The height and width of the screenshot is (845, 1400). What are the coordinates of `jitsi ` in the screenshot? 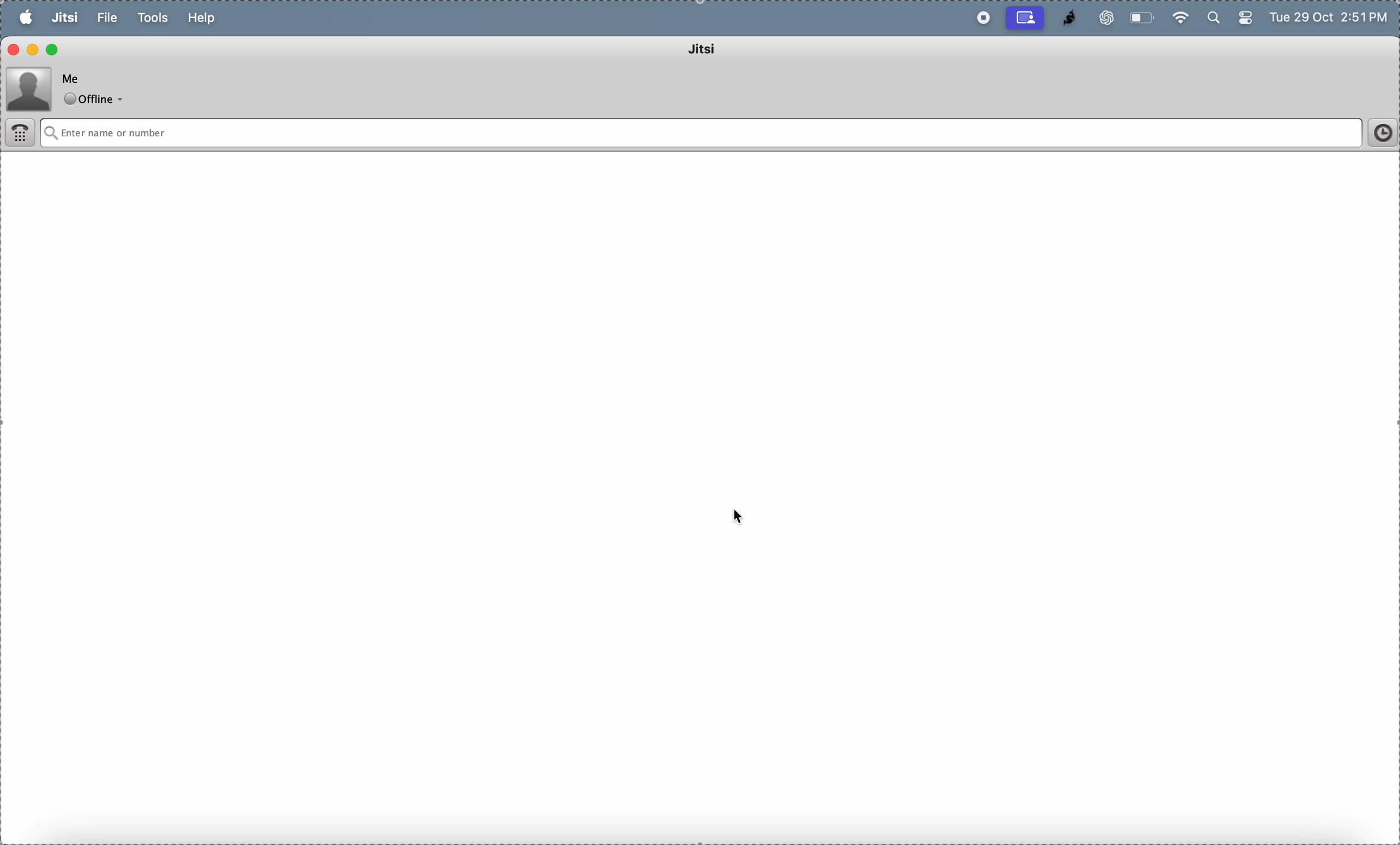 It's located at (718, 51).